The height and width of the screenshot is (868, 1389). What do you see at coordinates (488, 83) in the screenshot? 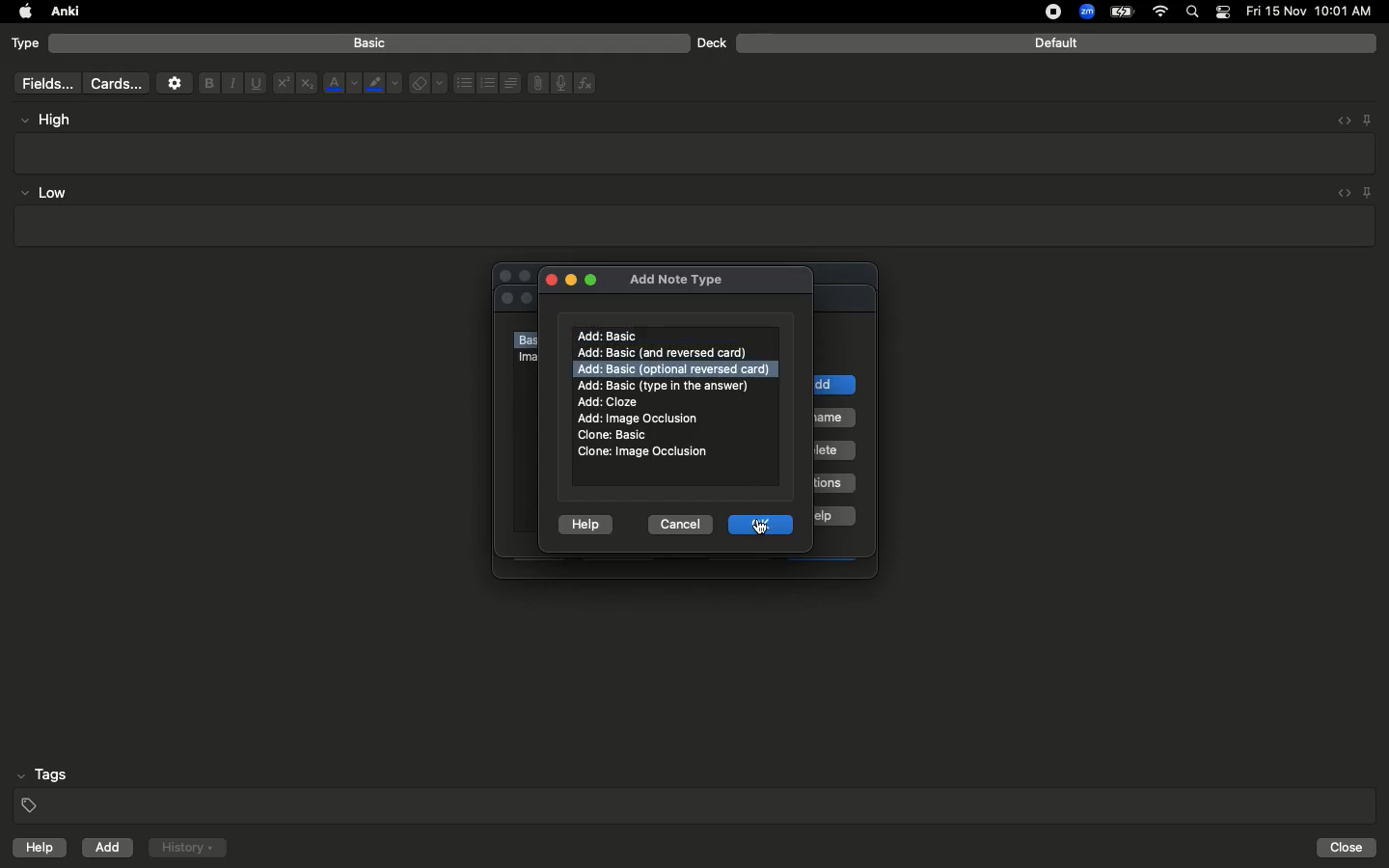
I see `Numbered bullets` at bounding box center [488, 83].